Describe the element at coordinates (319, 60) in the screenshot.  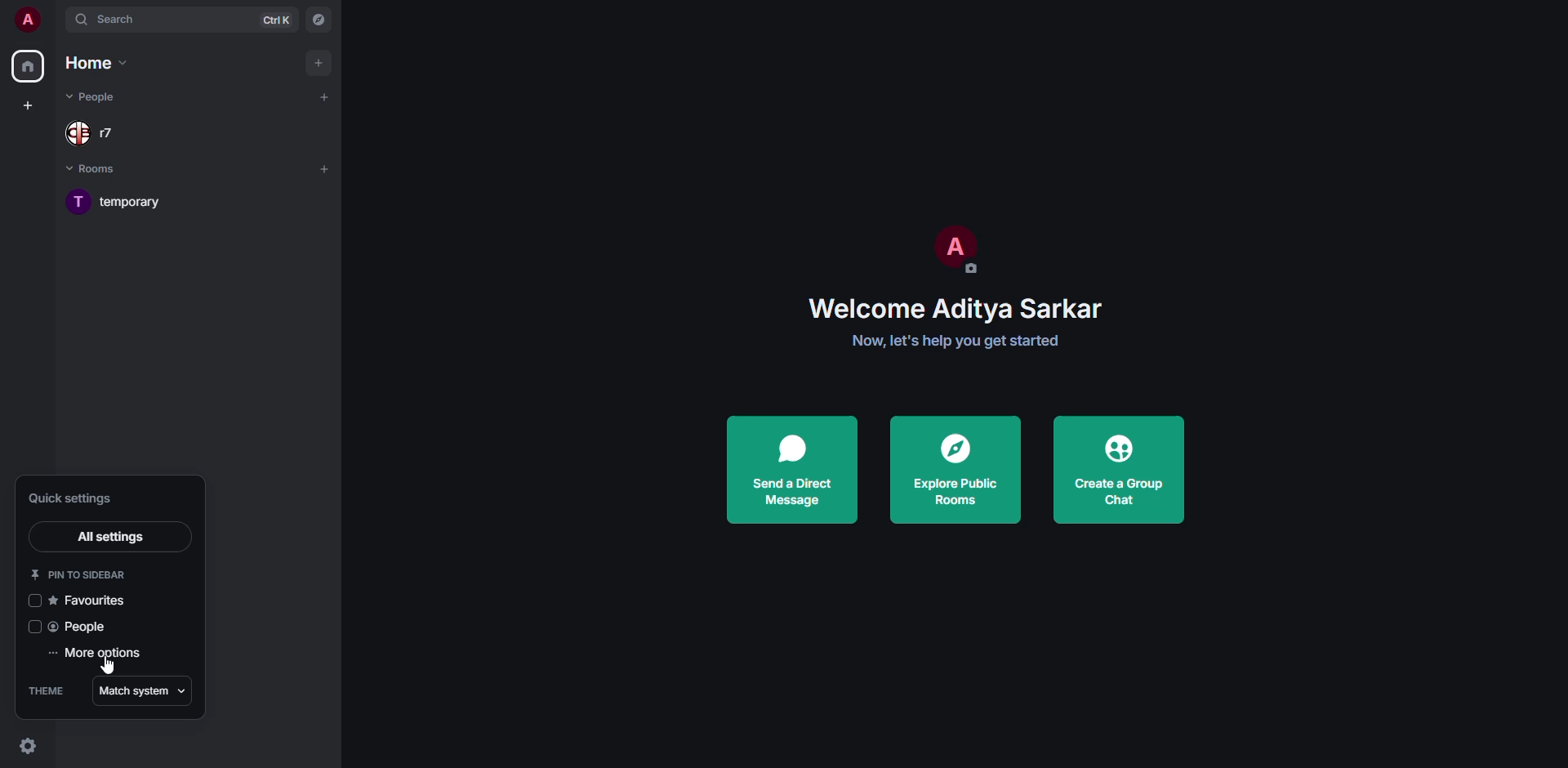
I see `add` at that location.